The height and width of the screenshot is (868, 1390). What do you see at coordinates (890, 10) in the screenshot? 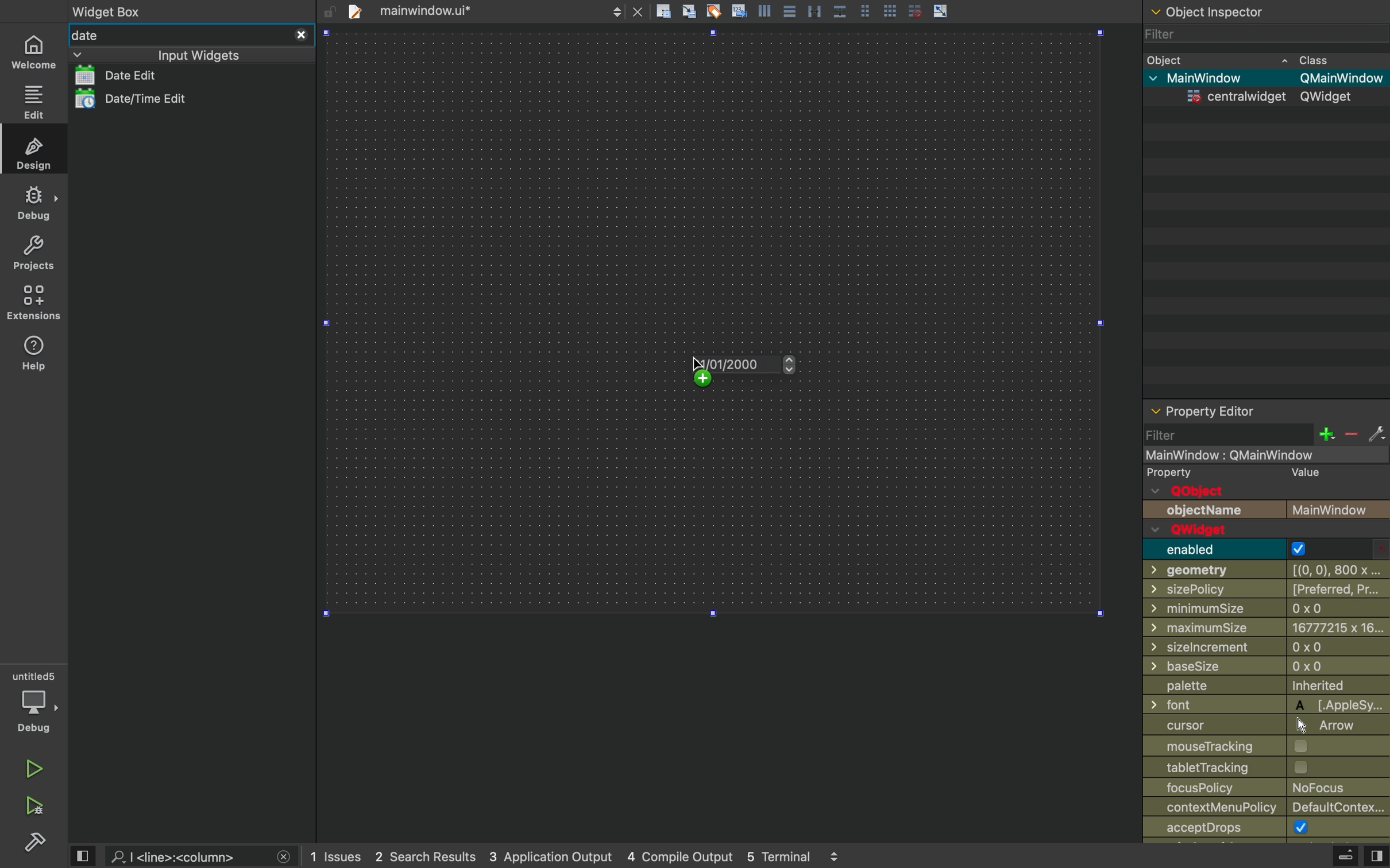
I see `grid view large` at bounding box center [890, 10].